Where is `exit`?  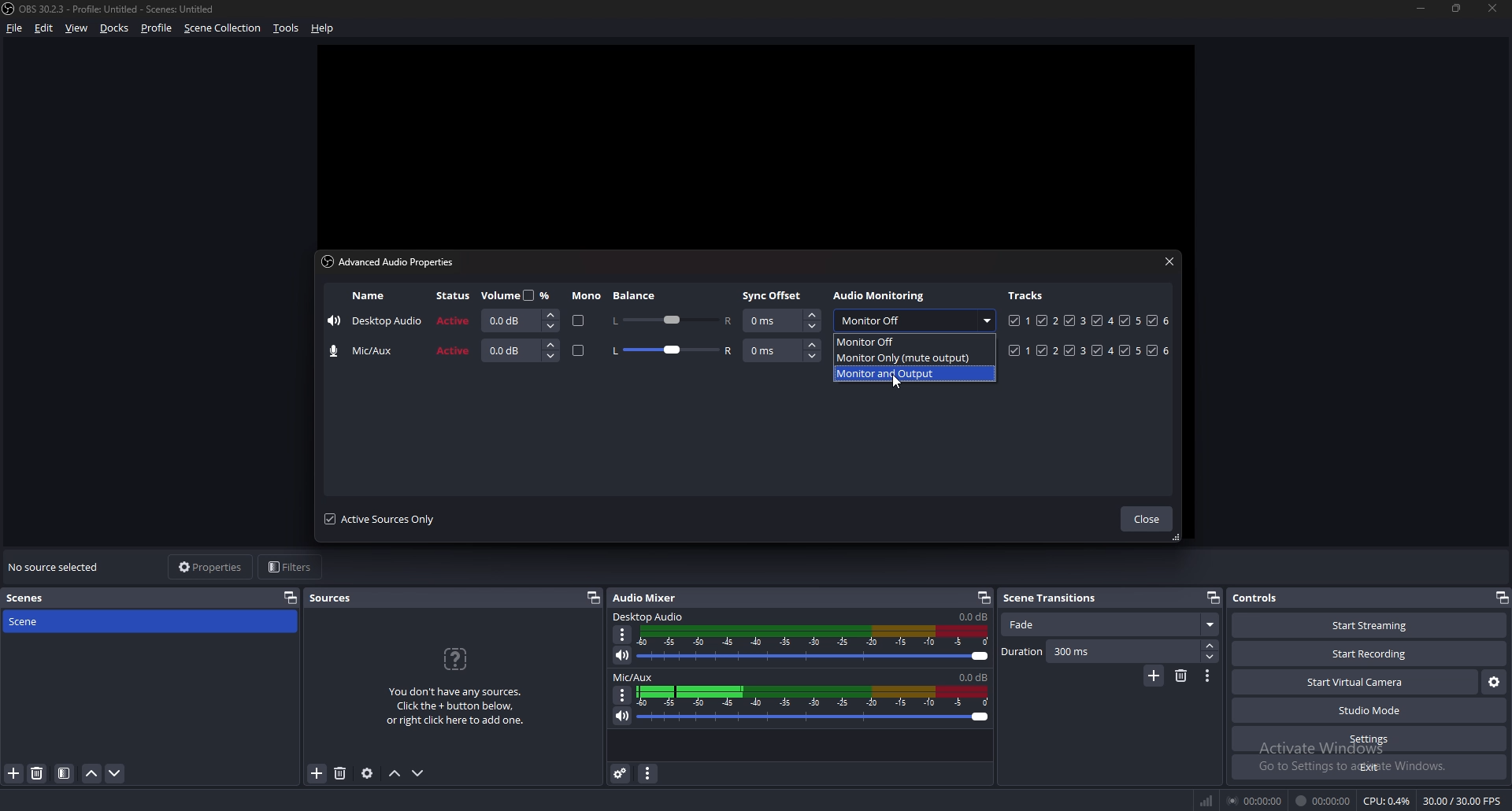
exit is located at coordinates (1369, 768).